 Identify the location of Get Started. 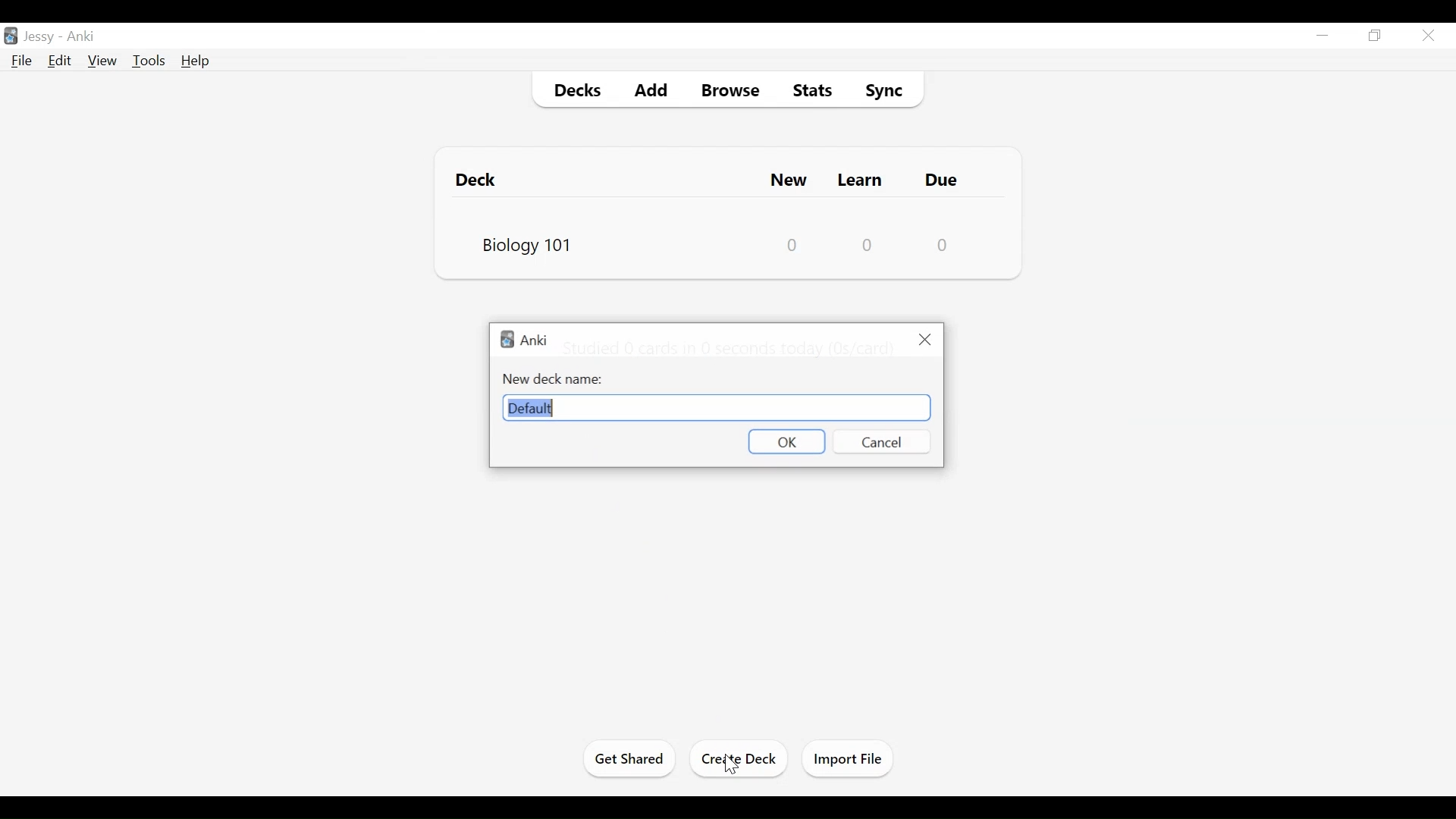
(632, 760).